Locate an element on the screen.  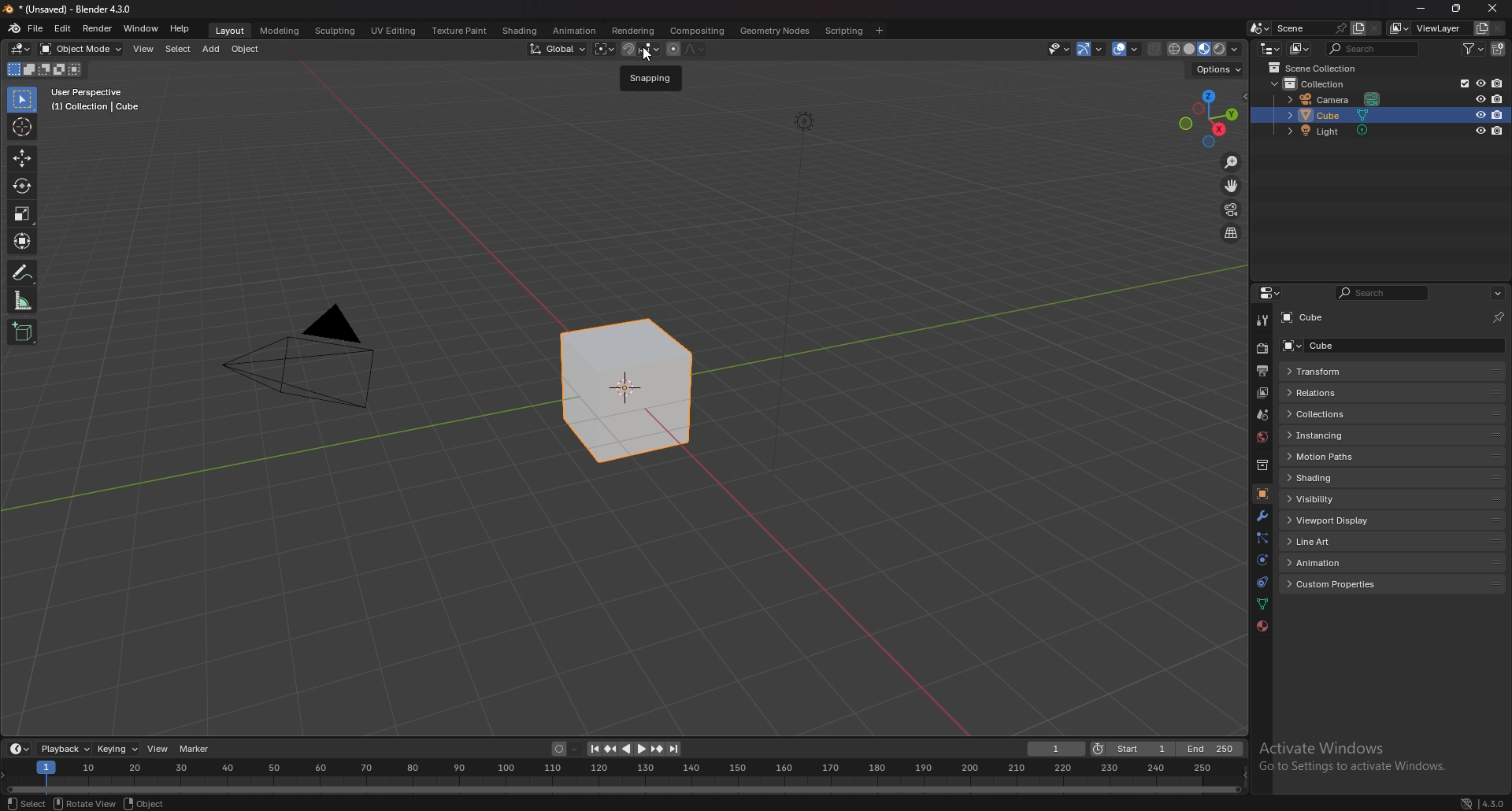
material is located at coordinates (1262, 627).